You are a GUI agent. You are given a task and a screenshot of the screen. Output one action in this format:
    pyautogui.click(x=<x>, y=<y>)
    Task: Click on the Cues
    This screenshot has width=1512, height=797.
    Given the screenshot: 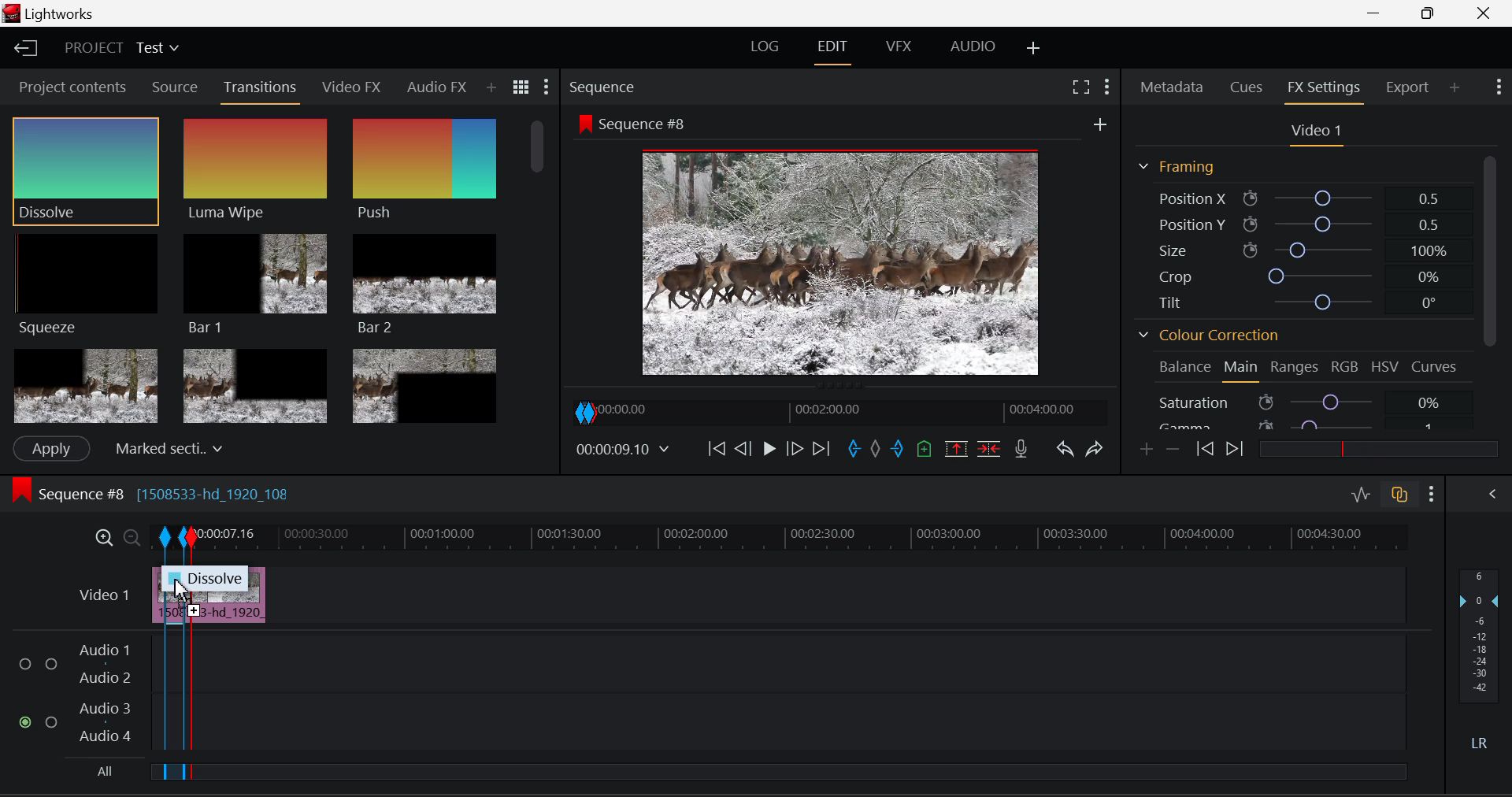 What is the action you would take?
    pyautogui.click(x=1244, y=88)
    